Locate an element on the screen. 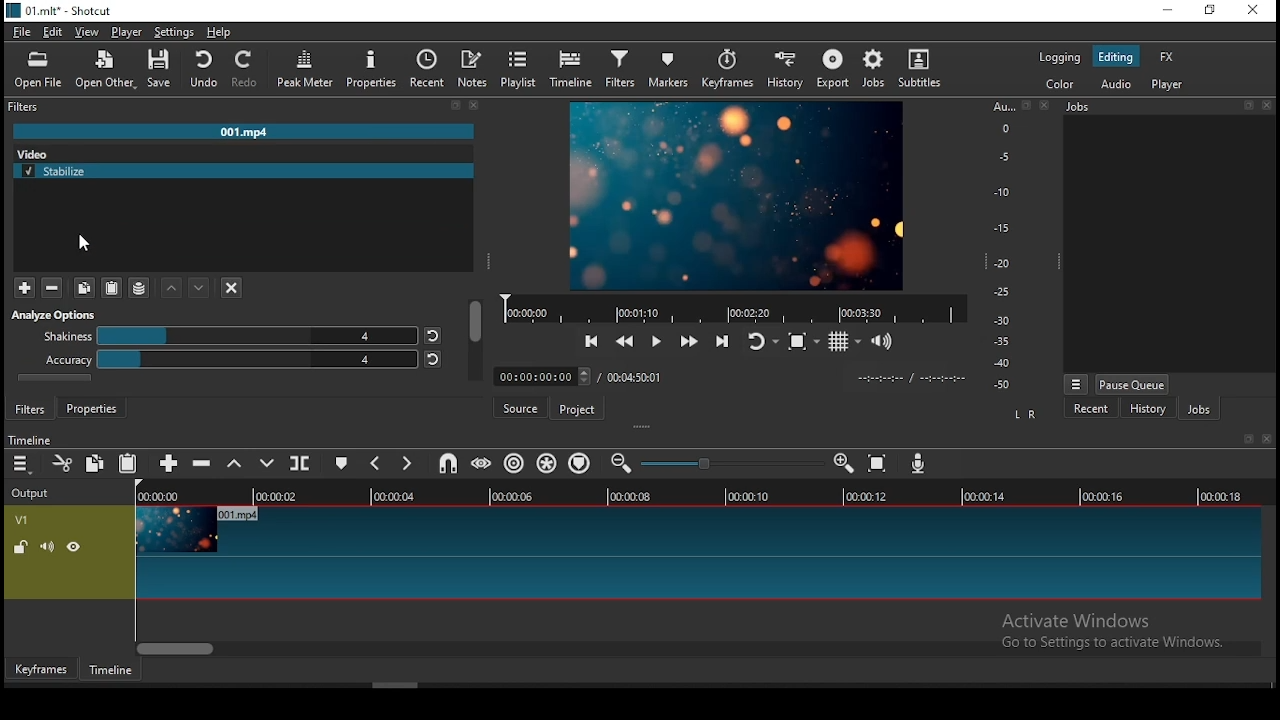 Image resolution: width=1280 pixels, height=720 pixels. keyframes is located at coordinates (731, 69).